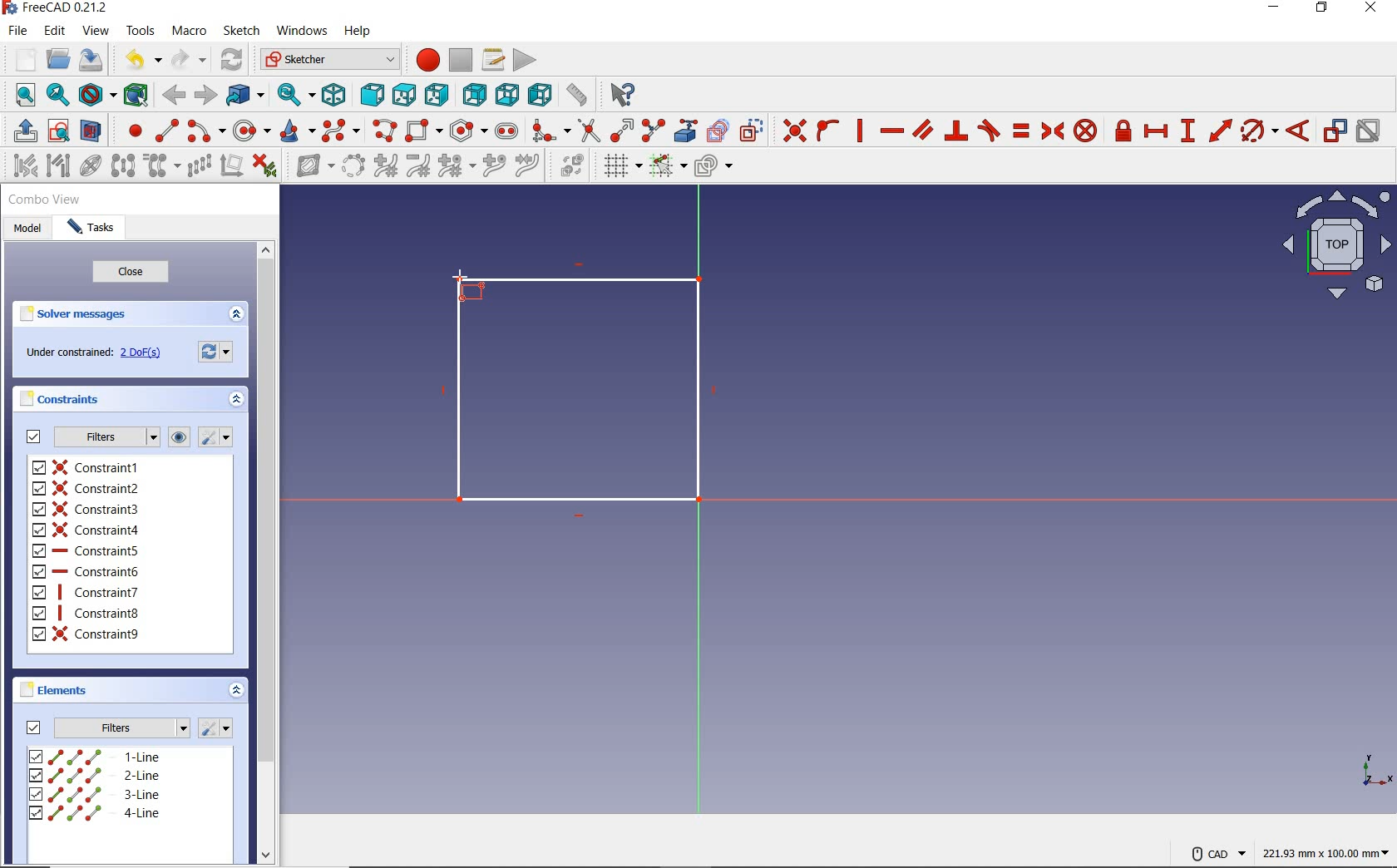 The width and height of the screenshot is (1397, 868). I want to click on edit, so click(55, 32).